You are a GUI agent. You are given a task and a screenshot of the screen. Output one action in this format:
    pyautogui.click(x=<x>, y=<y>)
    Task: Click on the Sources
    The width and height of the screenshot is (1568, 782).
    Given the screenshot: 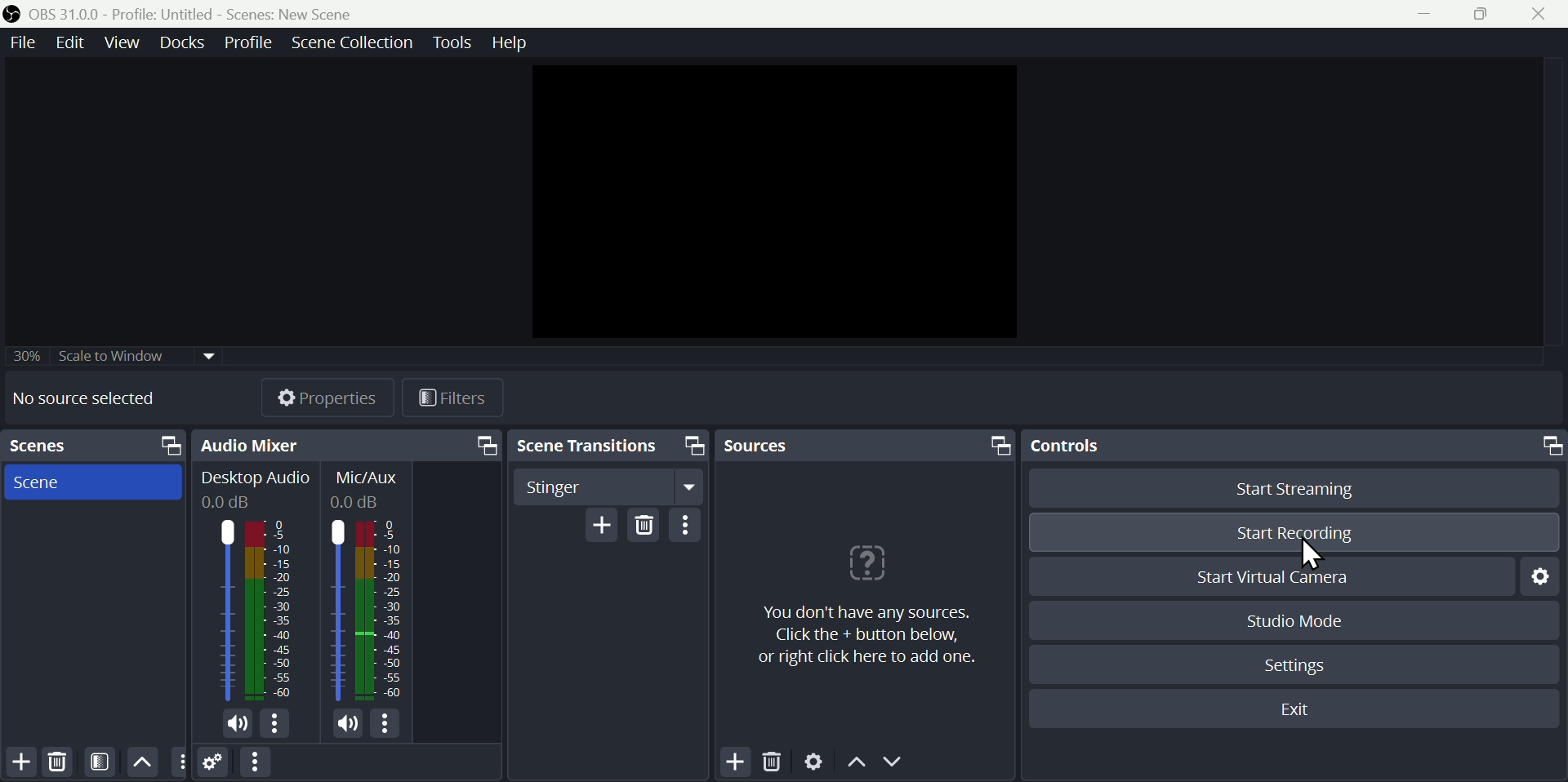 What is the action you would take?
    pyautogui.click(x=769, y=445)
    